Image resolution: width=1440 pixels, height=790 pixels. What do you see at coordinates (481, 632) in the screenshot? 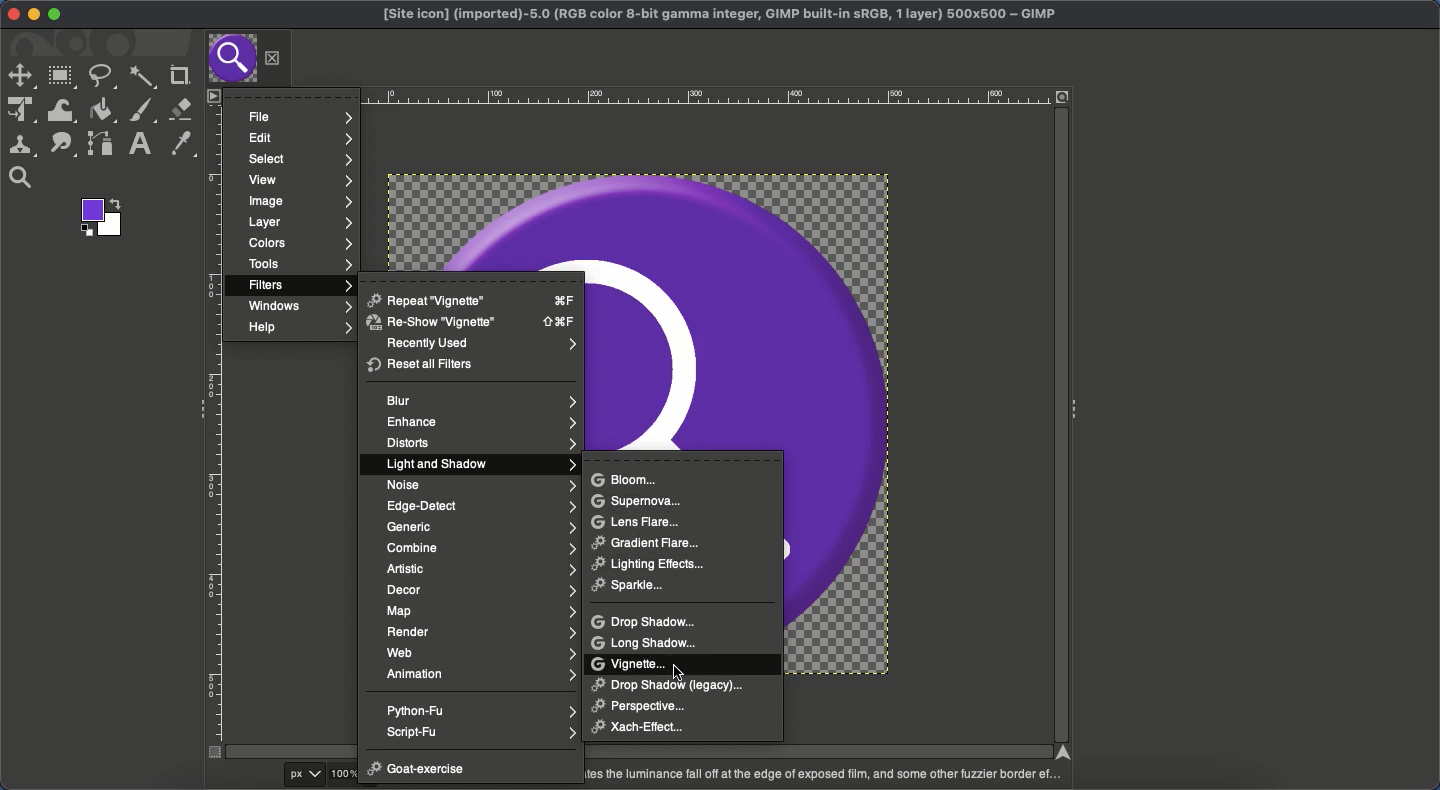
I see `Render` at bounding box center [481, 632].